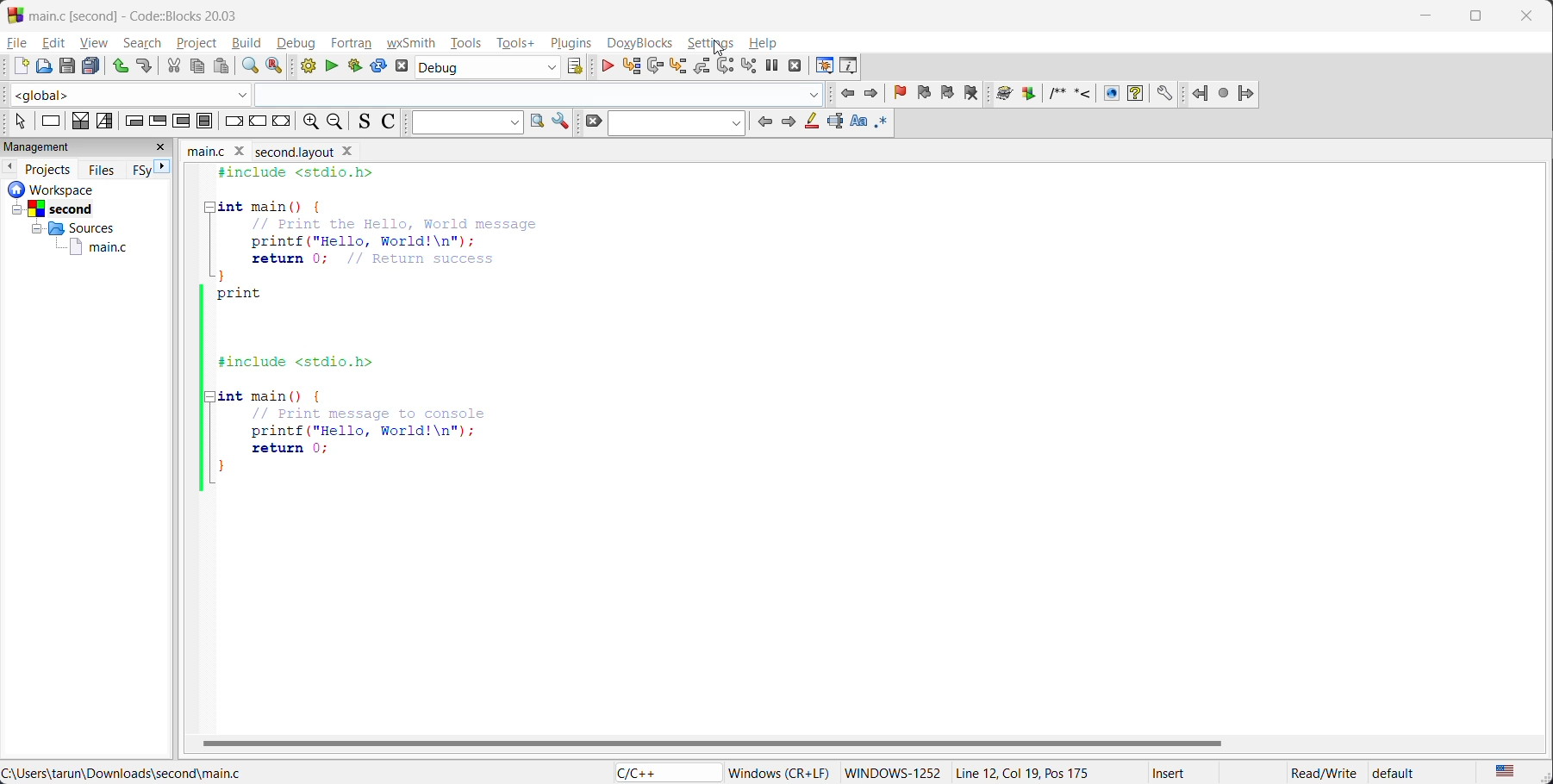 This screenshot has height=784, width=1553. I want to click on last jump, so click(1222, 90).